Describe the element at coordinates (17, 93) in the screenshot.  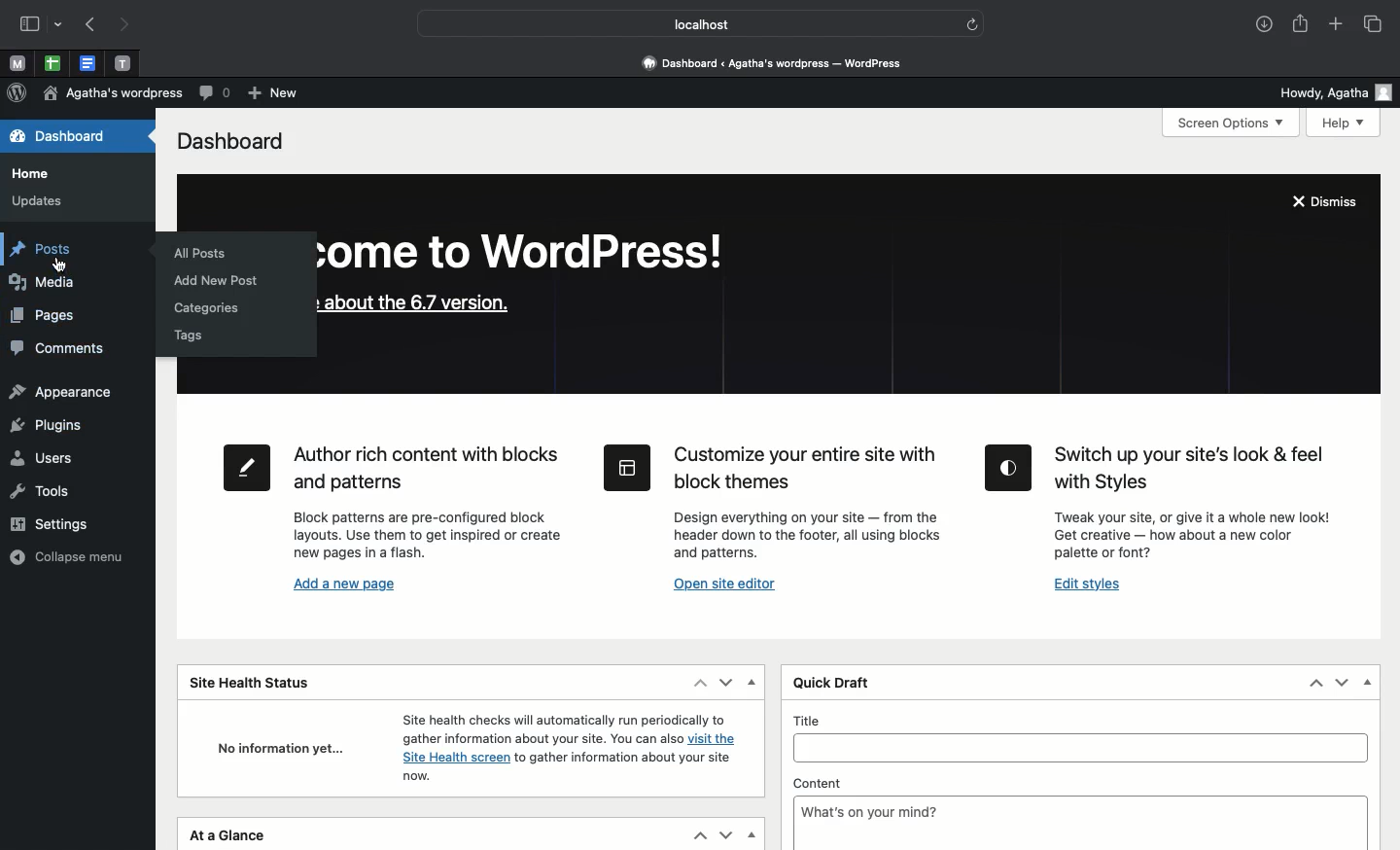
I see `Wordpress` at that location.